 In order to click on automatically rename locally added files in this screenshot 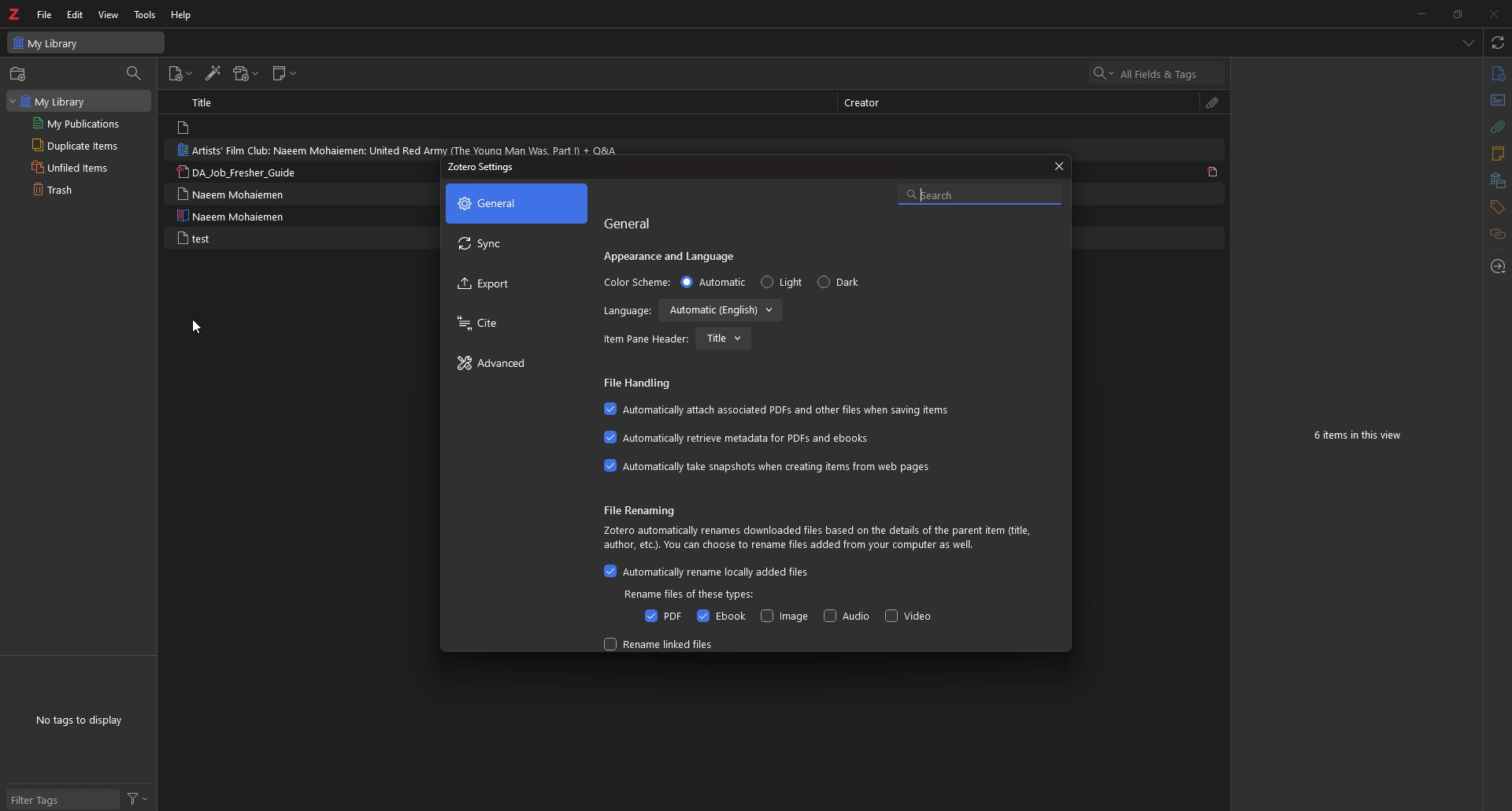, I will do `click(707, 572)`.